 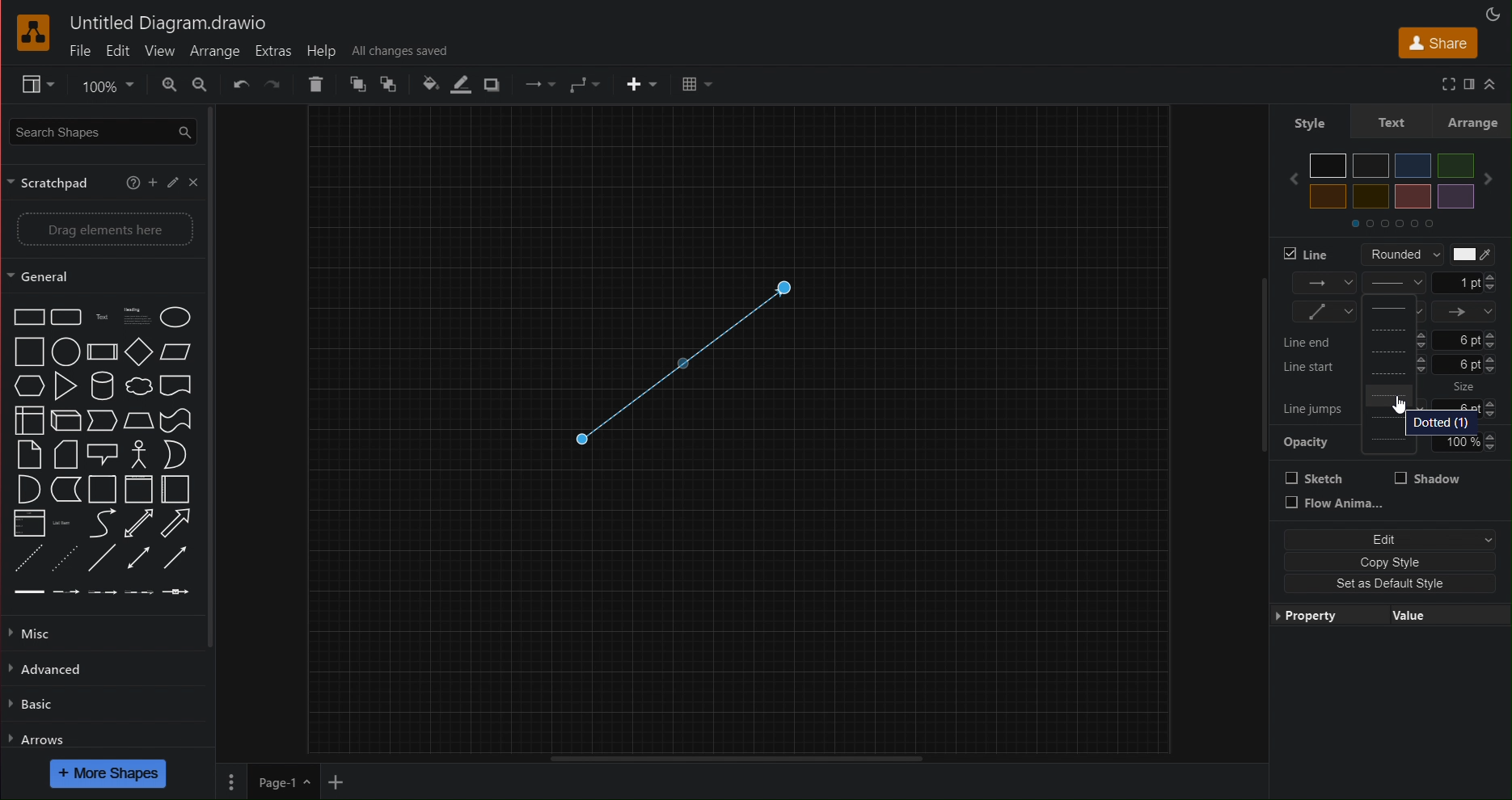 What do you see at coordinates (1386, 561) in the screenshot?
I see `Copy Style` at bounding box center [1386, 561].